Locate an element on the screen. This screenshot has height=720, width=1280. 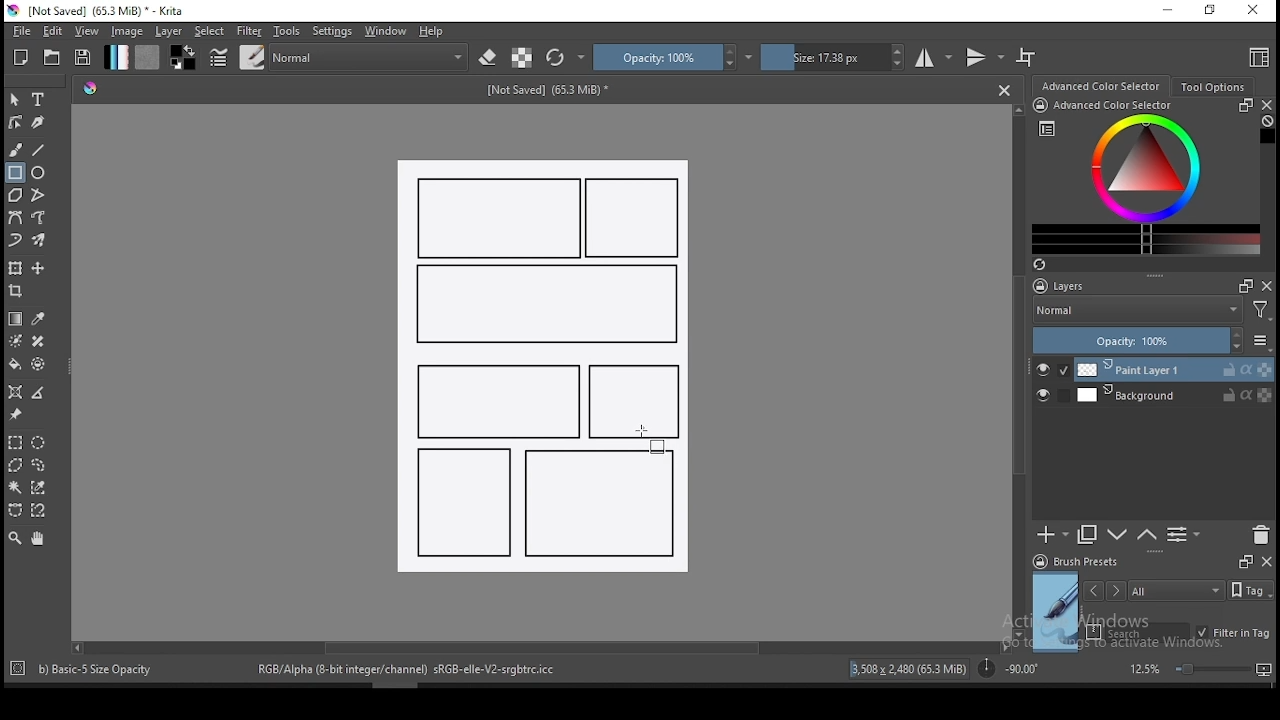
gradient fill is located at coordinates (116, 57).